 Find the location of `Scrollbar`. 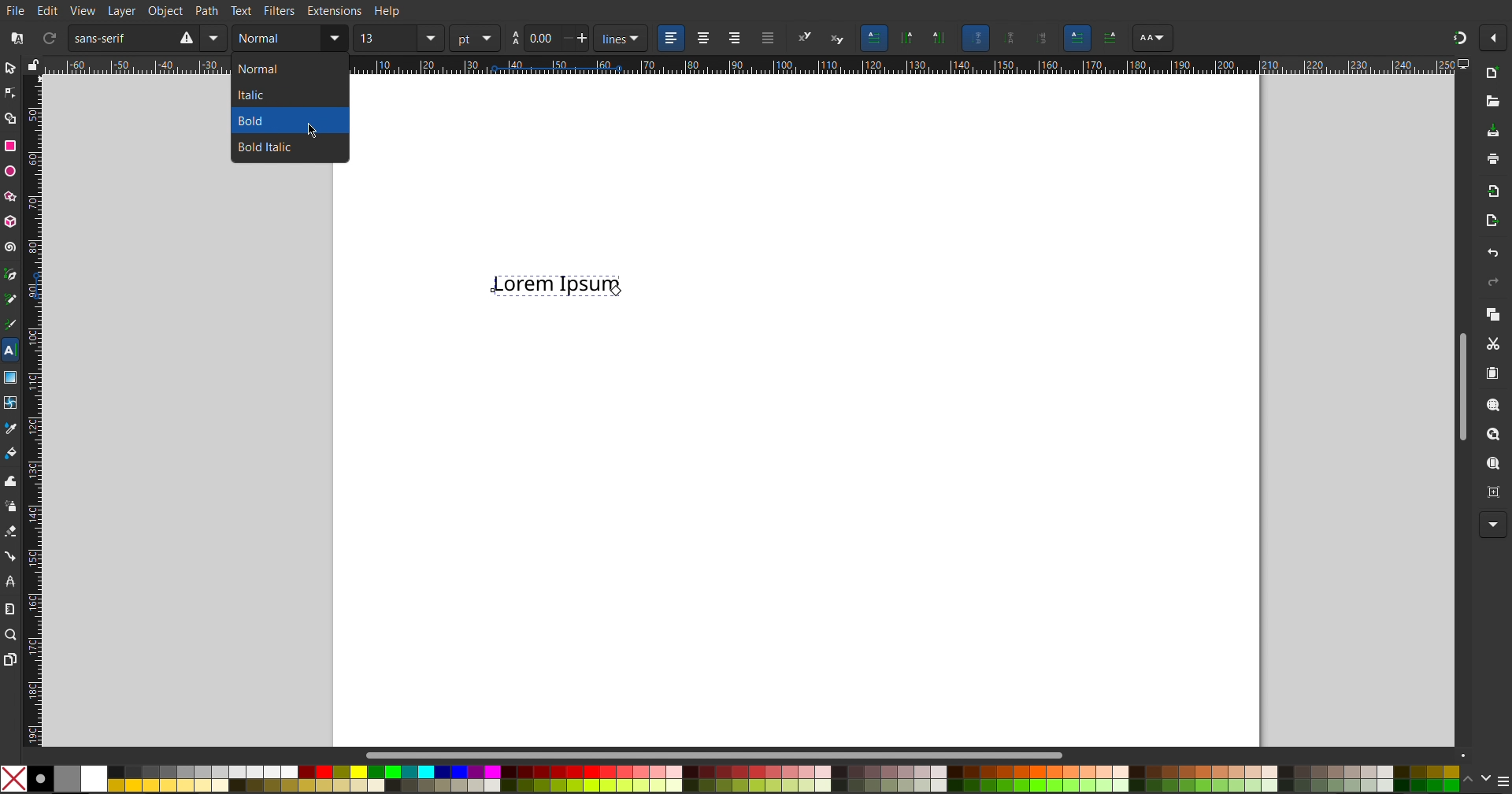

Scrollbar is located at coordinates (724, 755).